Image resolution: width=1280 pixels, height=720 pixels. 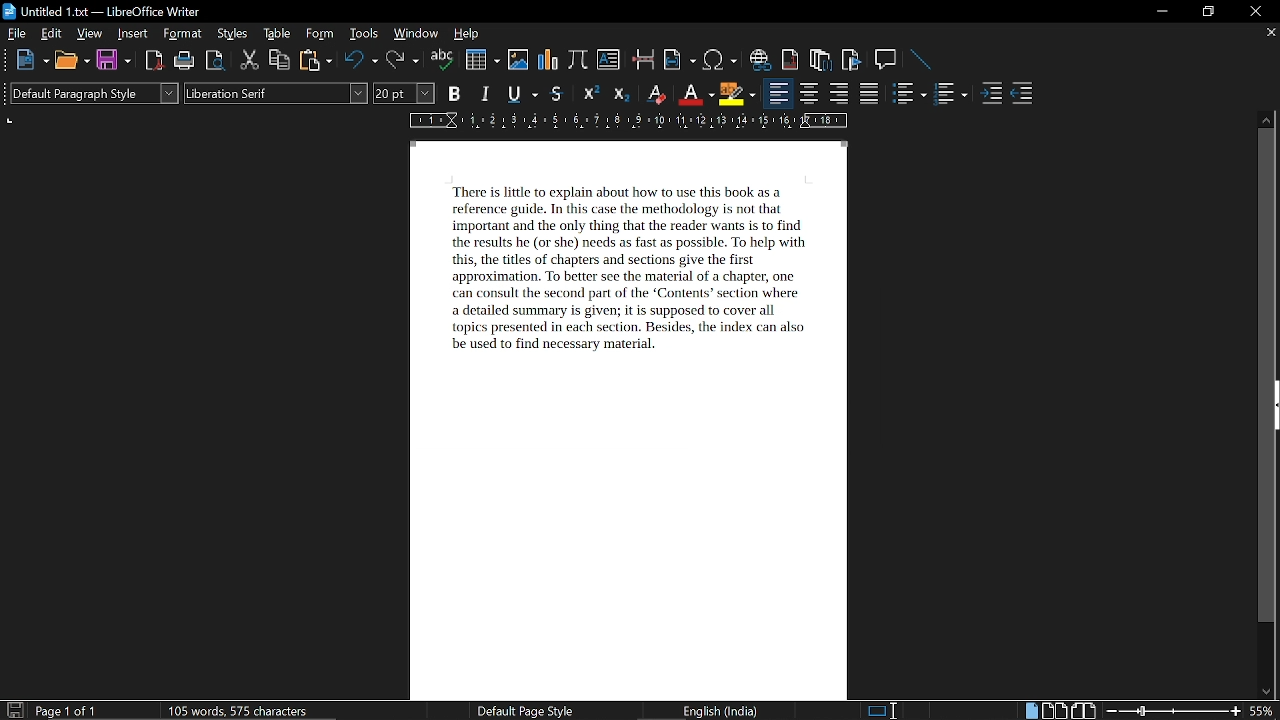 What do you see at coordinates (518, 60) in the screenshot?
I see `insert image` at bounding box center [518, 60].